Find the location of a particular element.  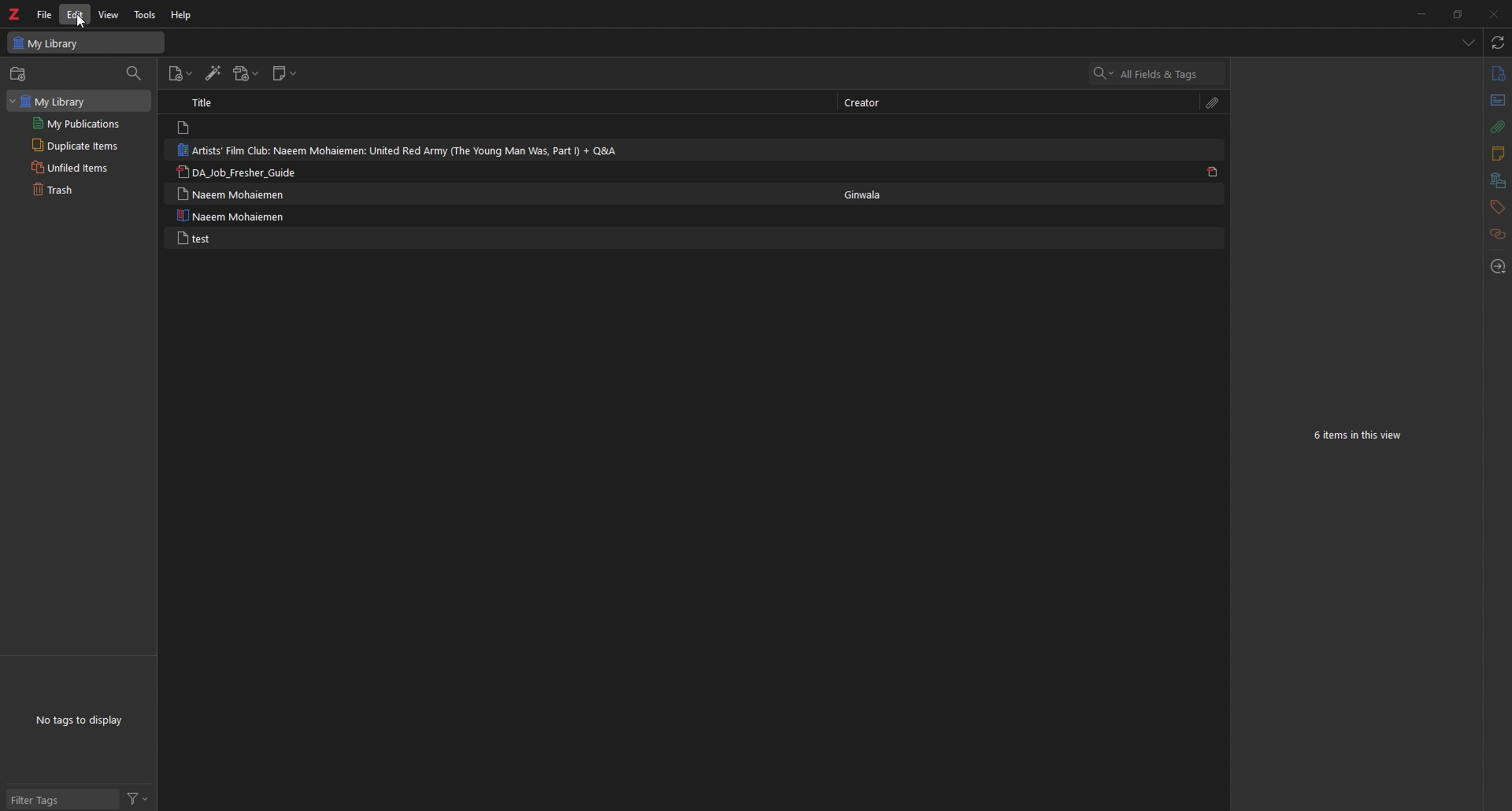

new item is located at coordinates (181, 74).